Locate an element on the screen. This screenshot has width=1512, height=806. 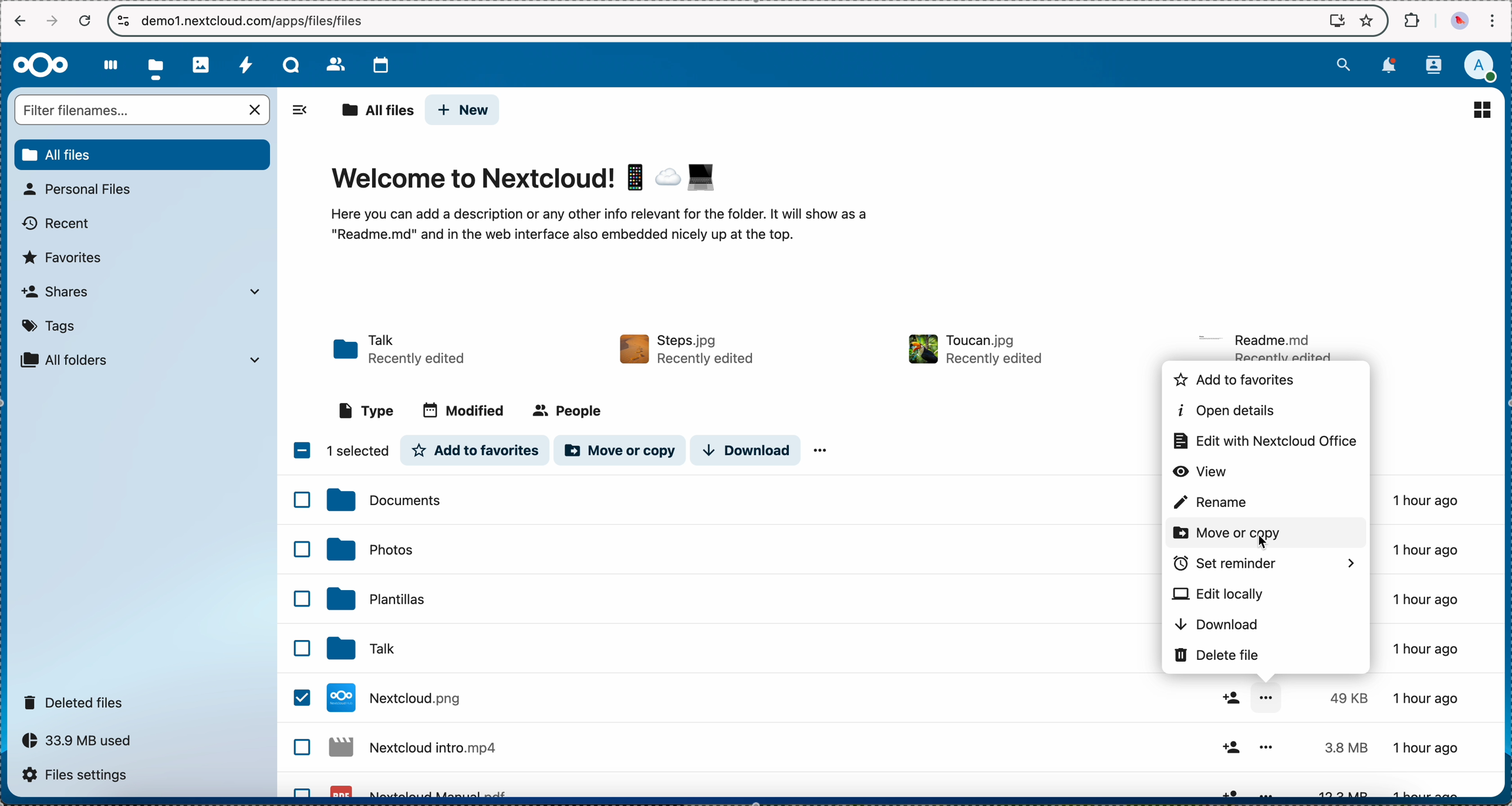
customize and control Google Chrome is located at coordinates (1493, 21).